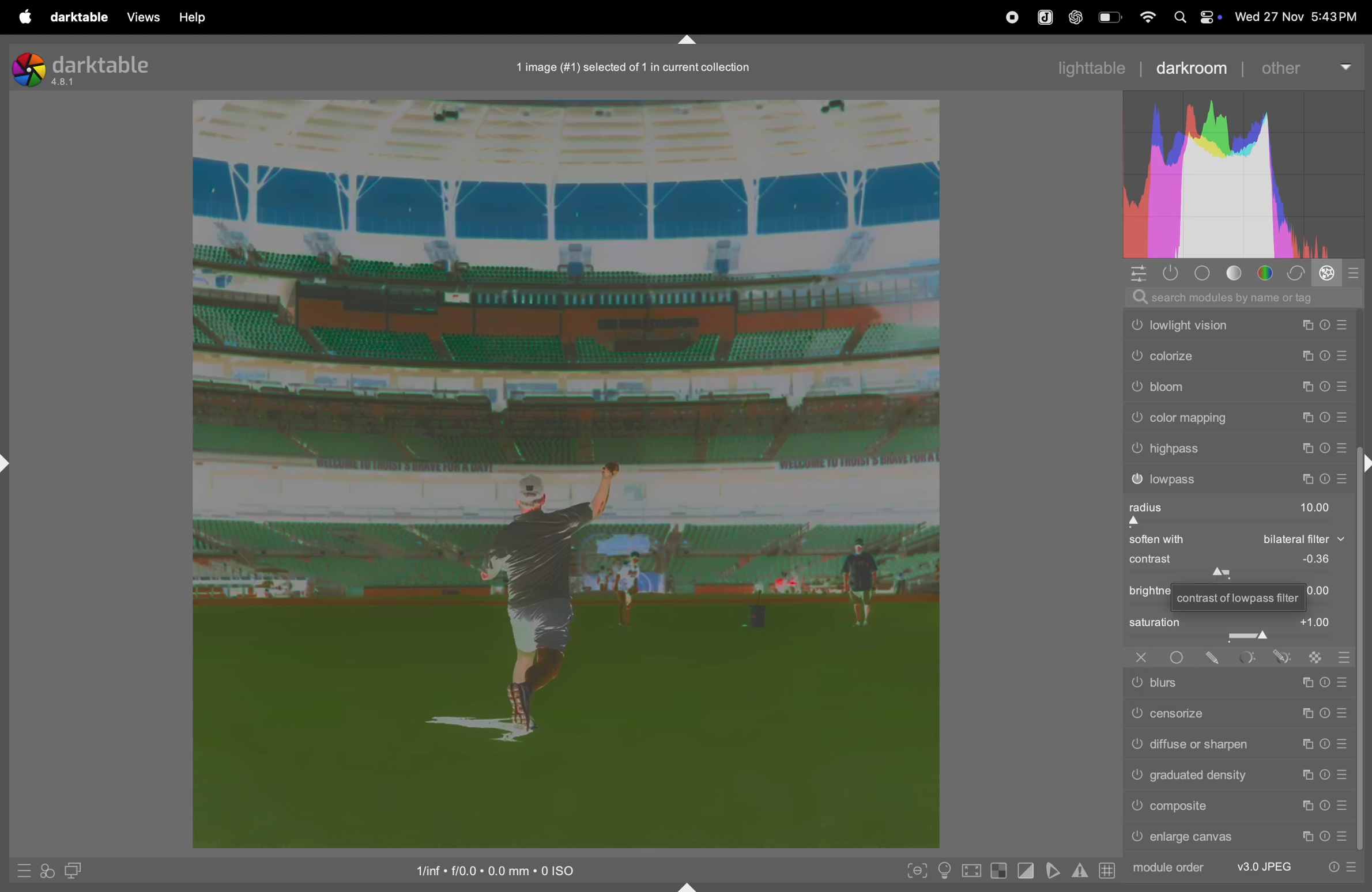 The width and height of the screenshot is (1372, 892). What do you see at coordinates (1134, 274) in the screenshot?
I see `quick acess panel` at bounding box center [1134, 274].